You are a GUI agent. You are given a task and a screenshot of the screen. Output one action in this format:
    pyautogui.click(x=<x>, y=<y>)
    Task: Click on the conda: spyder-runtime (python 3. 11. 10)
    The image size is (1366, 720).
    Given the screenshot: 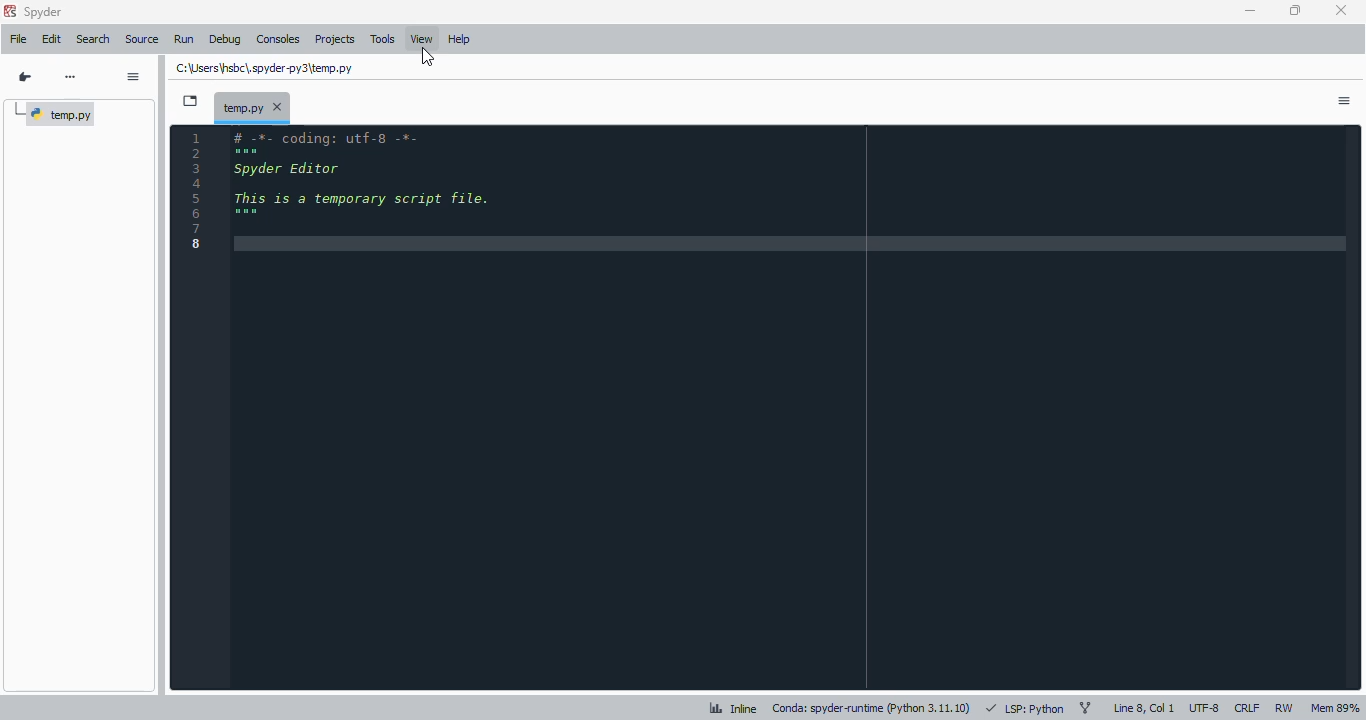 What is the action you would take?
    pyautogui.click(x=871, y=709)
    